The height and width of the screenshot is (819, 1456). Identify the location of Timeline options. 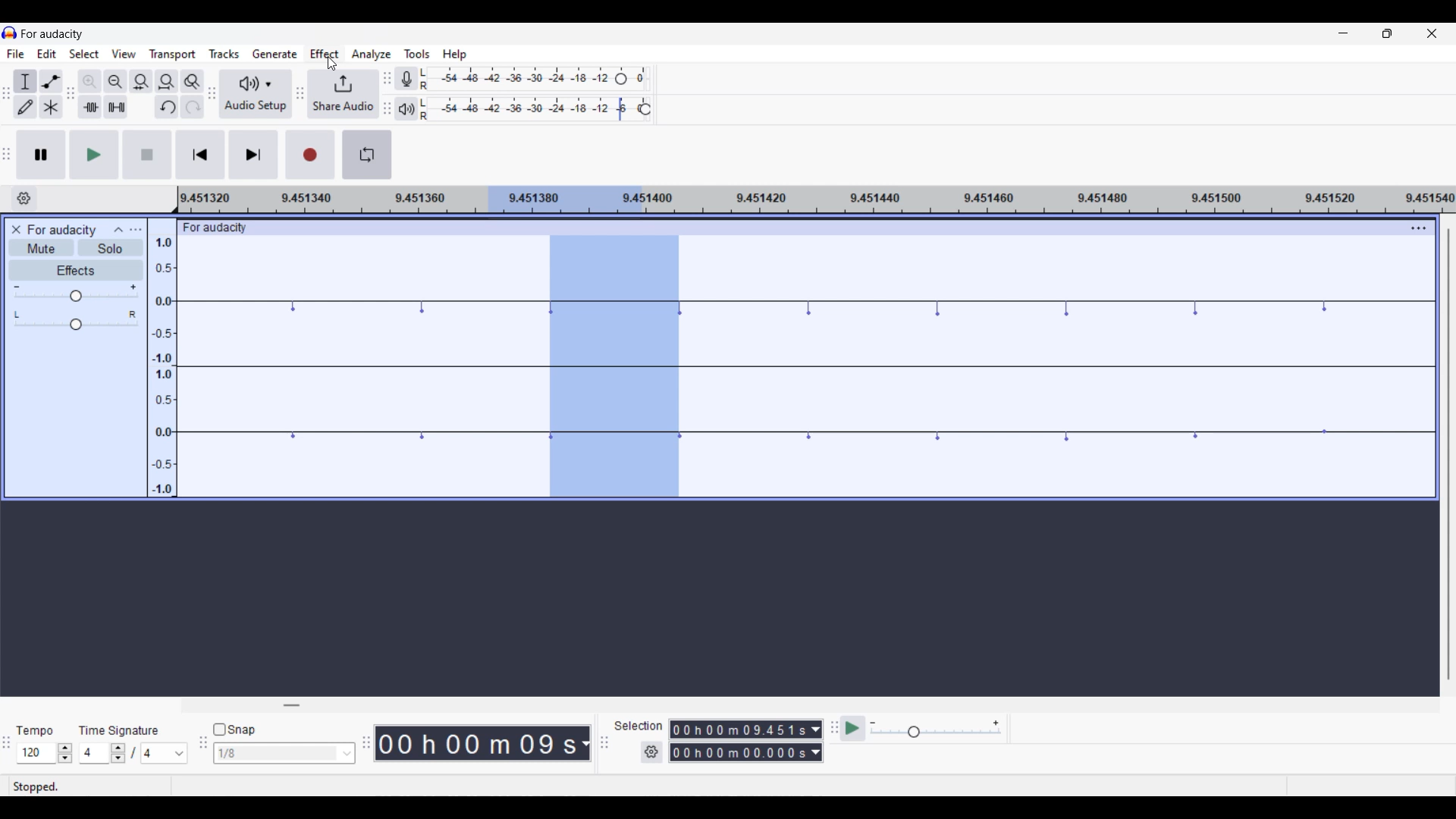
(24, 199).